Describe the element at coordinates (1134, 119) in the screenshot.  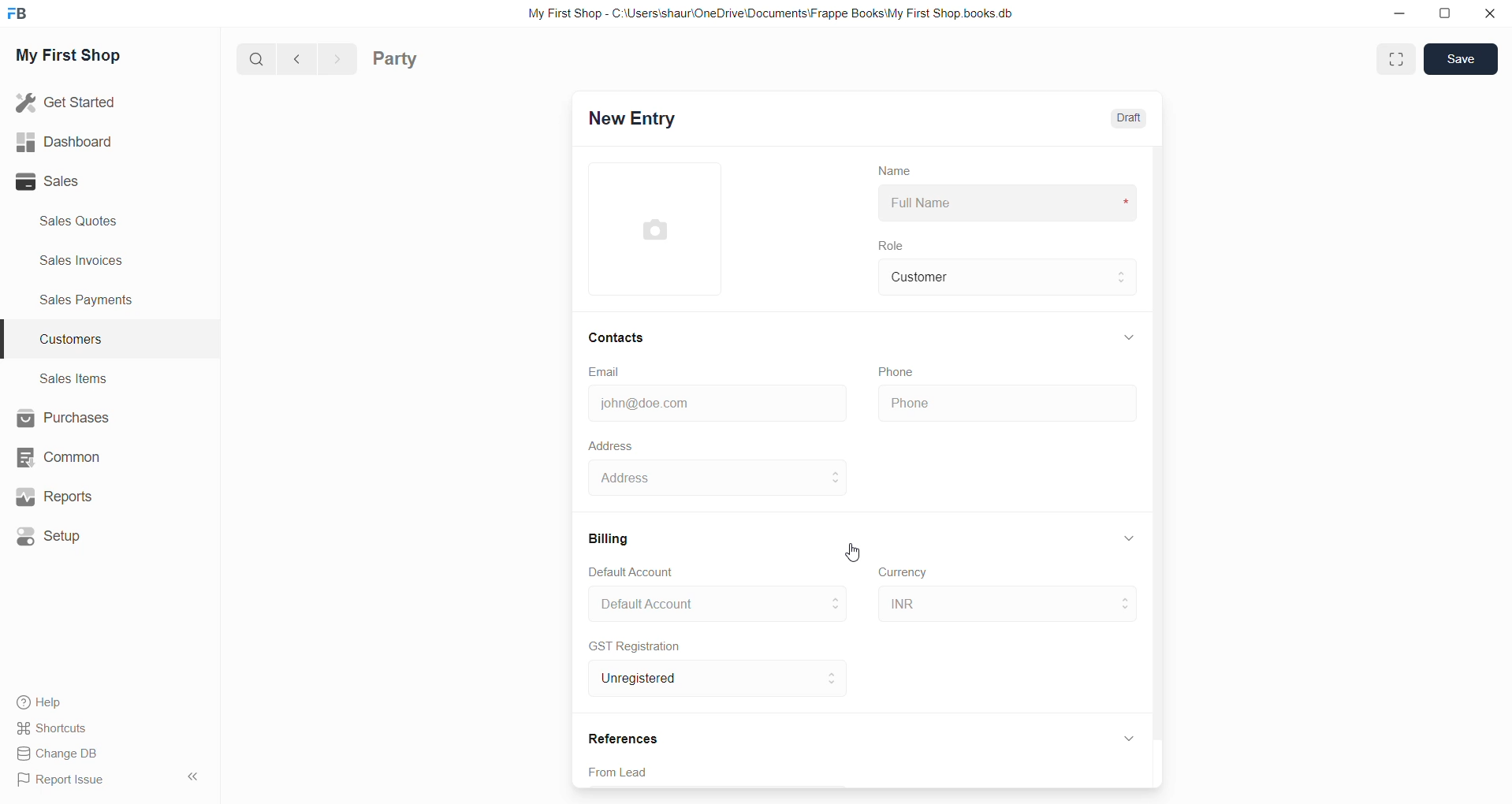
I see `Draft` at that location.